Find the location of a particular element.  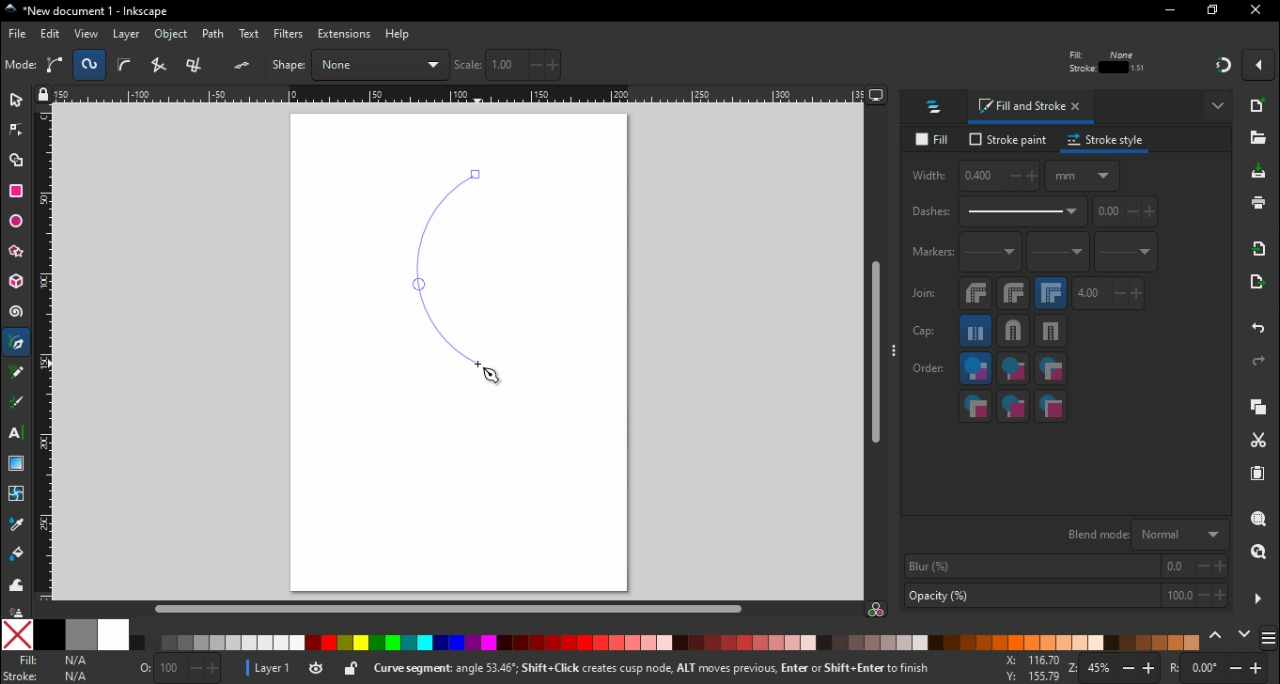

paint bucket tool is located at coordinates (14, 556).